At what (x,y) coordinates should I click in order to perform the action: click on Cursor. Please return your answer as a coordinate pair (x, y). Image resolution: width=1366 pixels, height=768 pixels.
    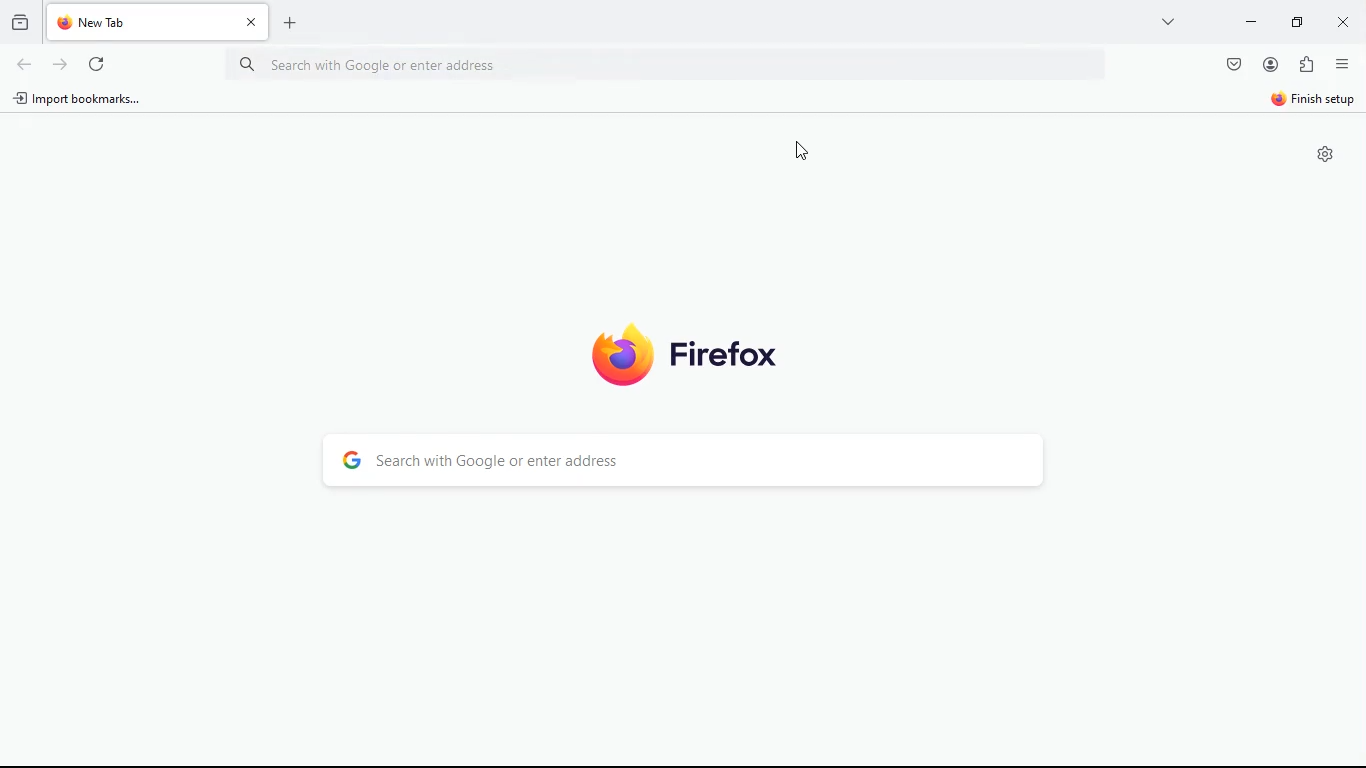
    Looking at the image, I should click on (797, 149).